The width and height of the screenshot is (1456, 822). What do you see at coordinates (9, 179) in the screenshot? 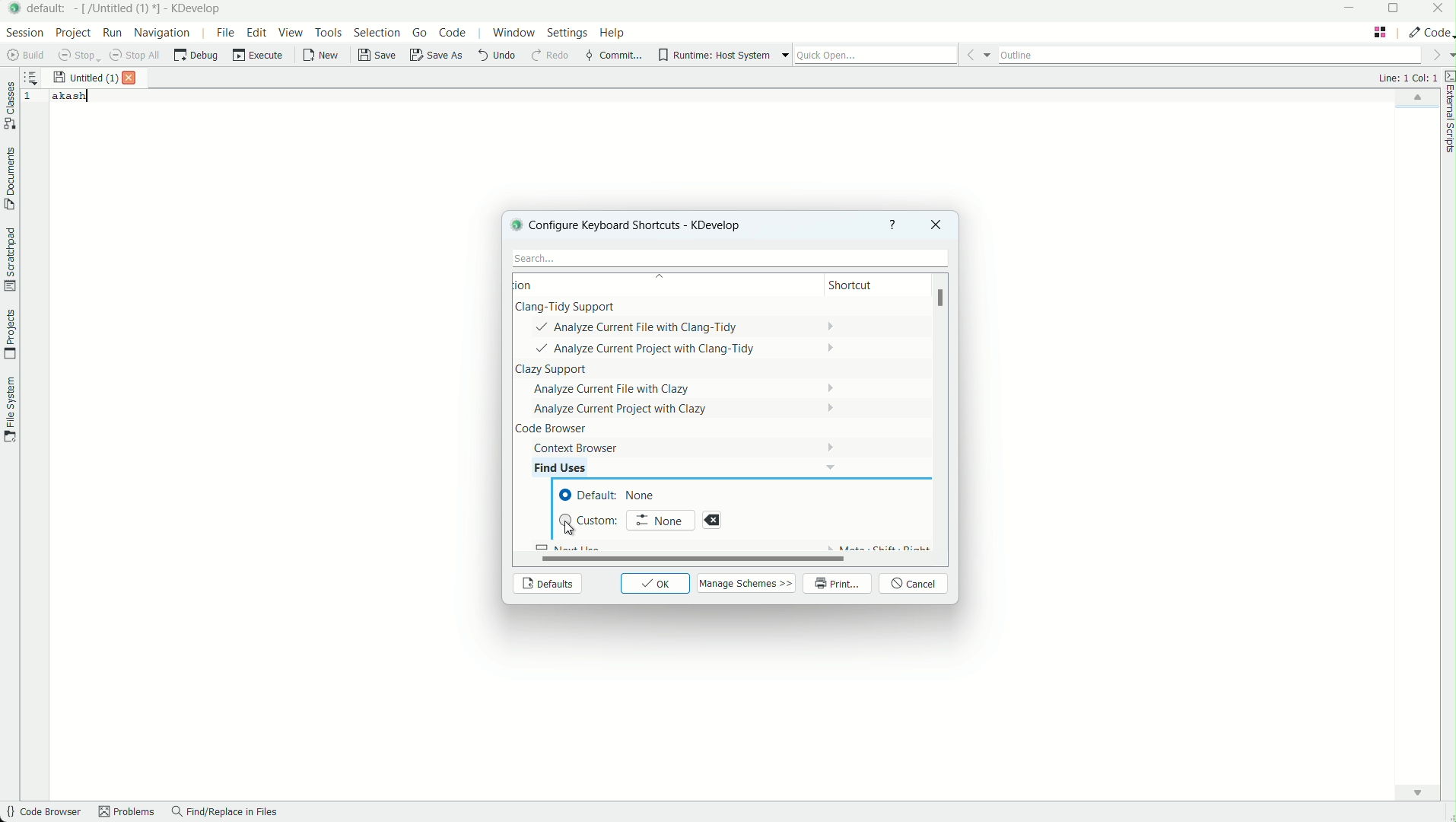
I see `documents` at bounding box center [9, 179].